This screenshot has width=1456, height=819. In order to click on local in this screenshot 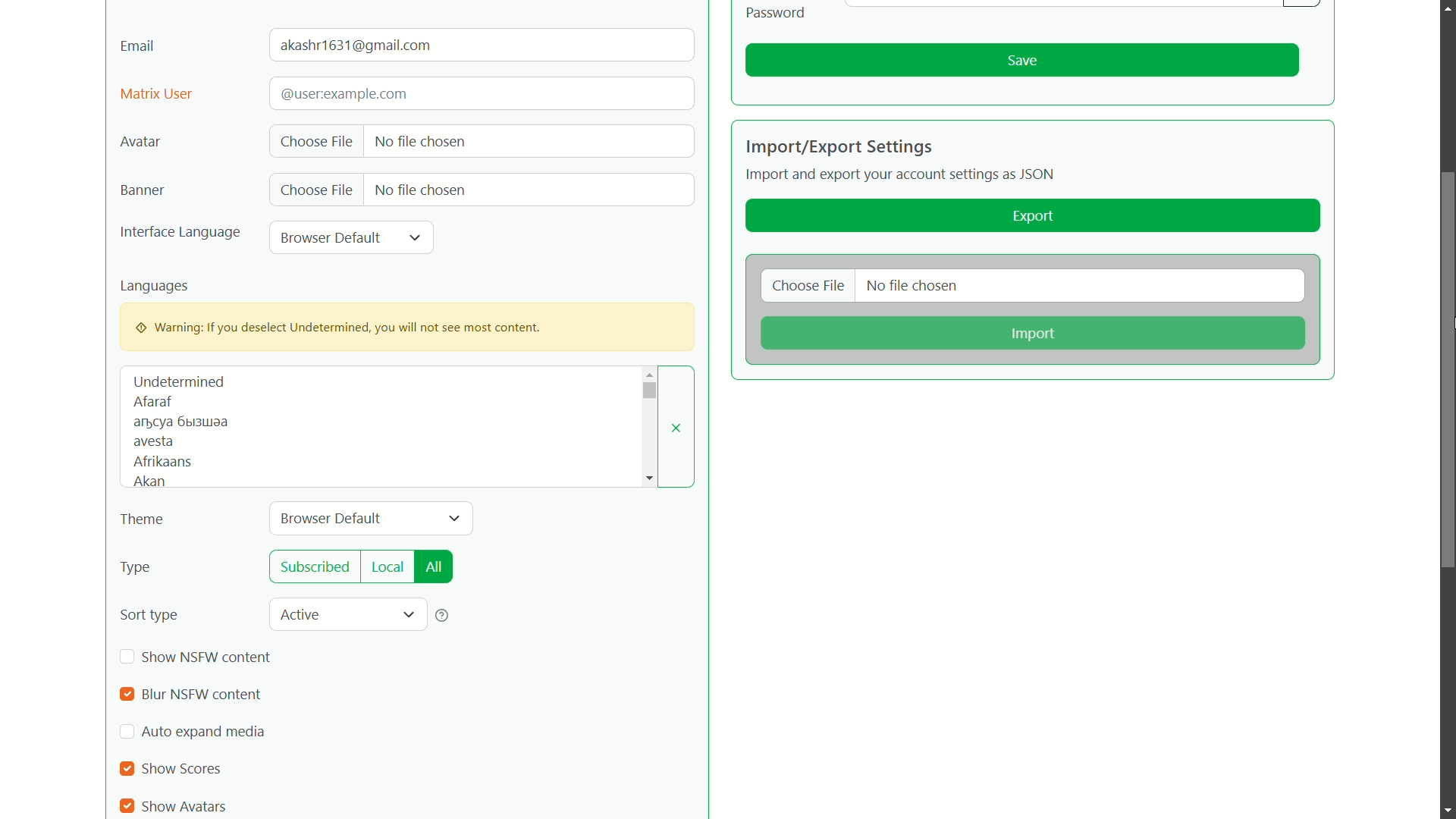, I will do `click(388, 566)`.